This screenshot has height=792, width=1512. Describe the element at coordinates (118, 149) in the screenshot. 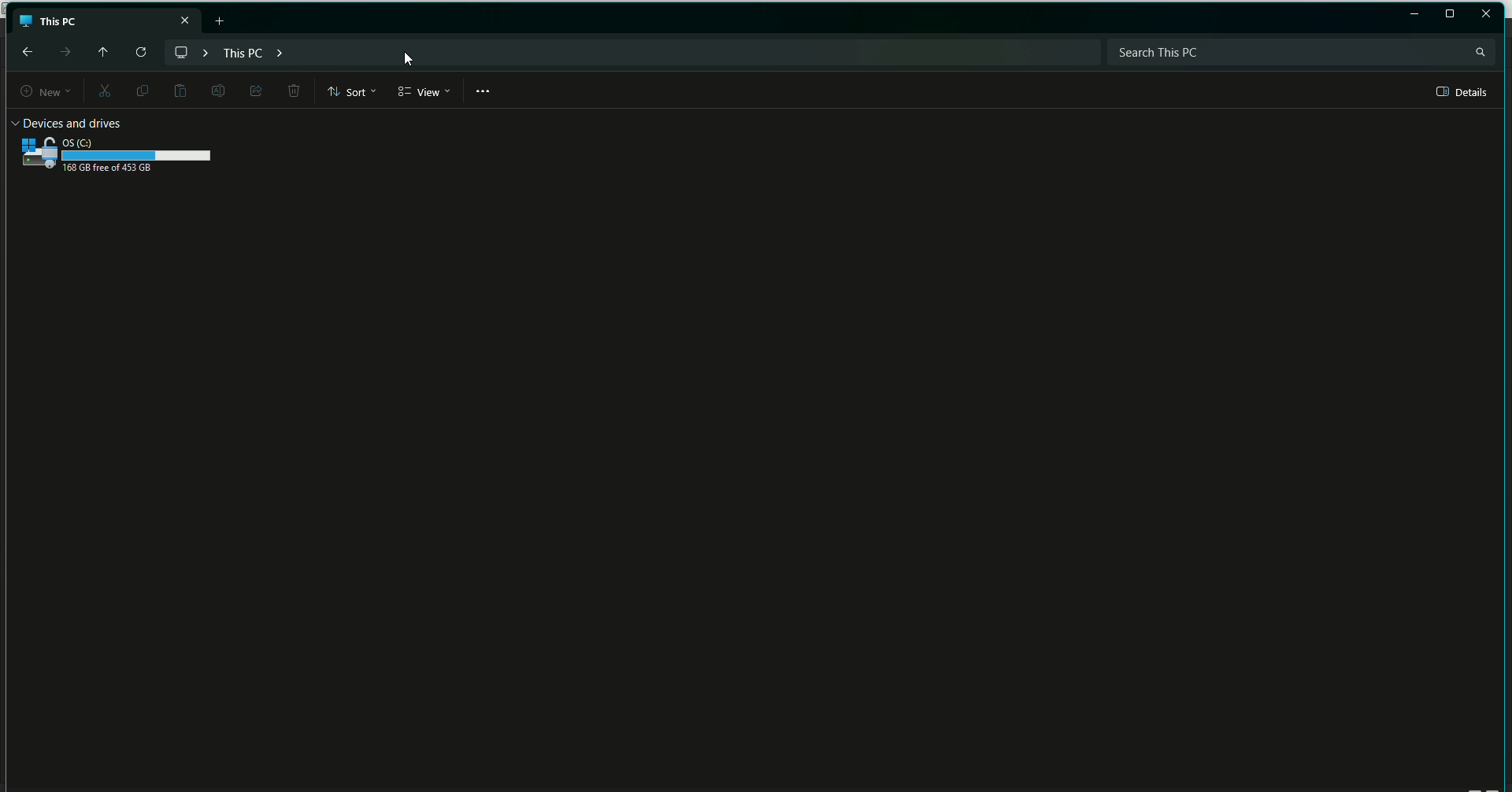

I see `C Drive` at that location.